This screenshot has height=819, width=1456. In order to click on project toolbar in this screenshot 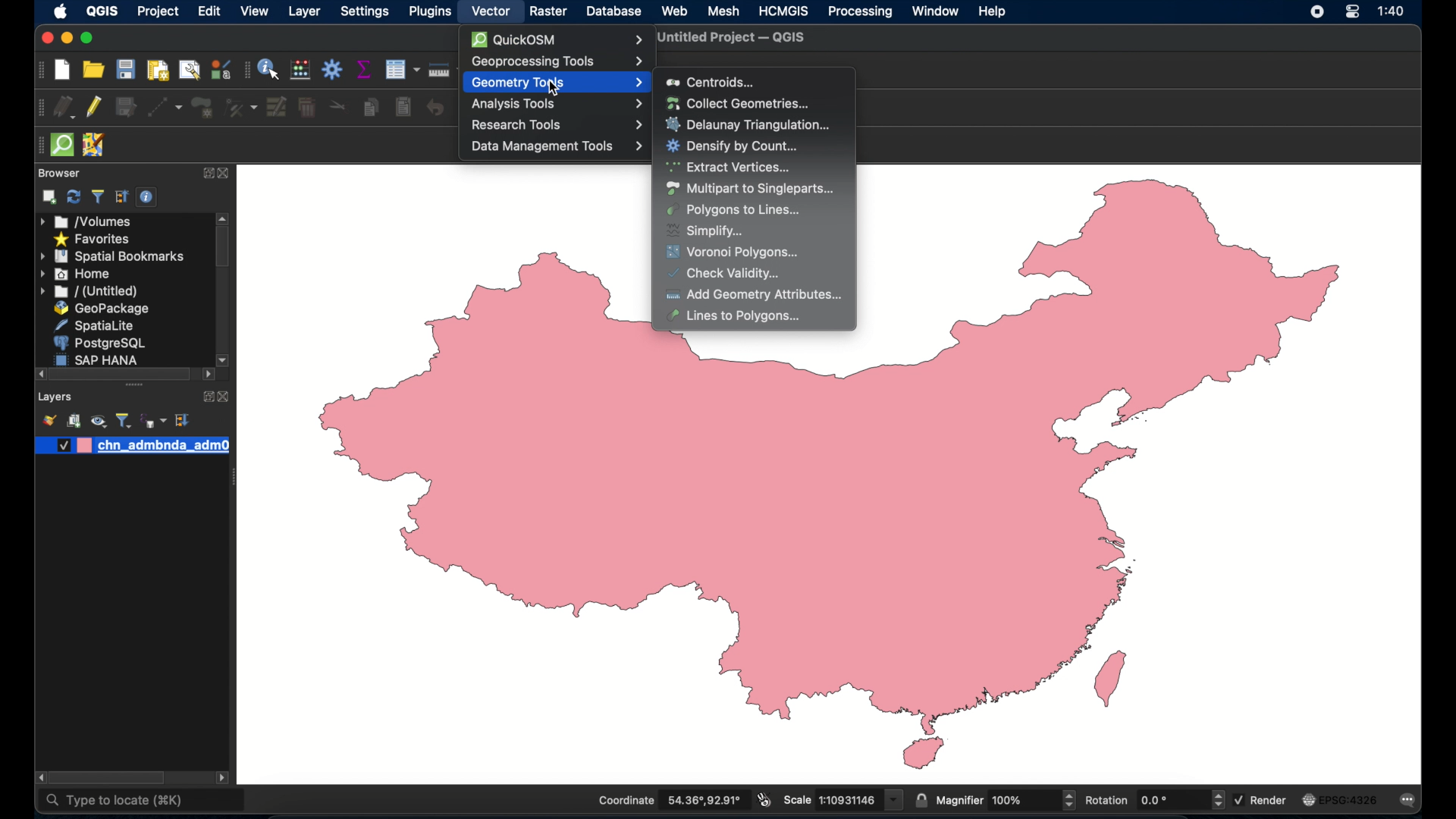, I will do `click(42, 70)`.